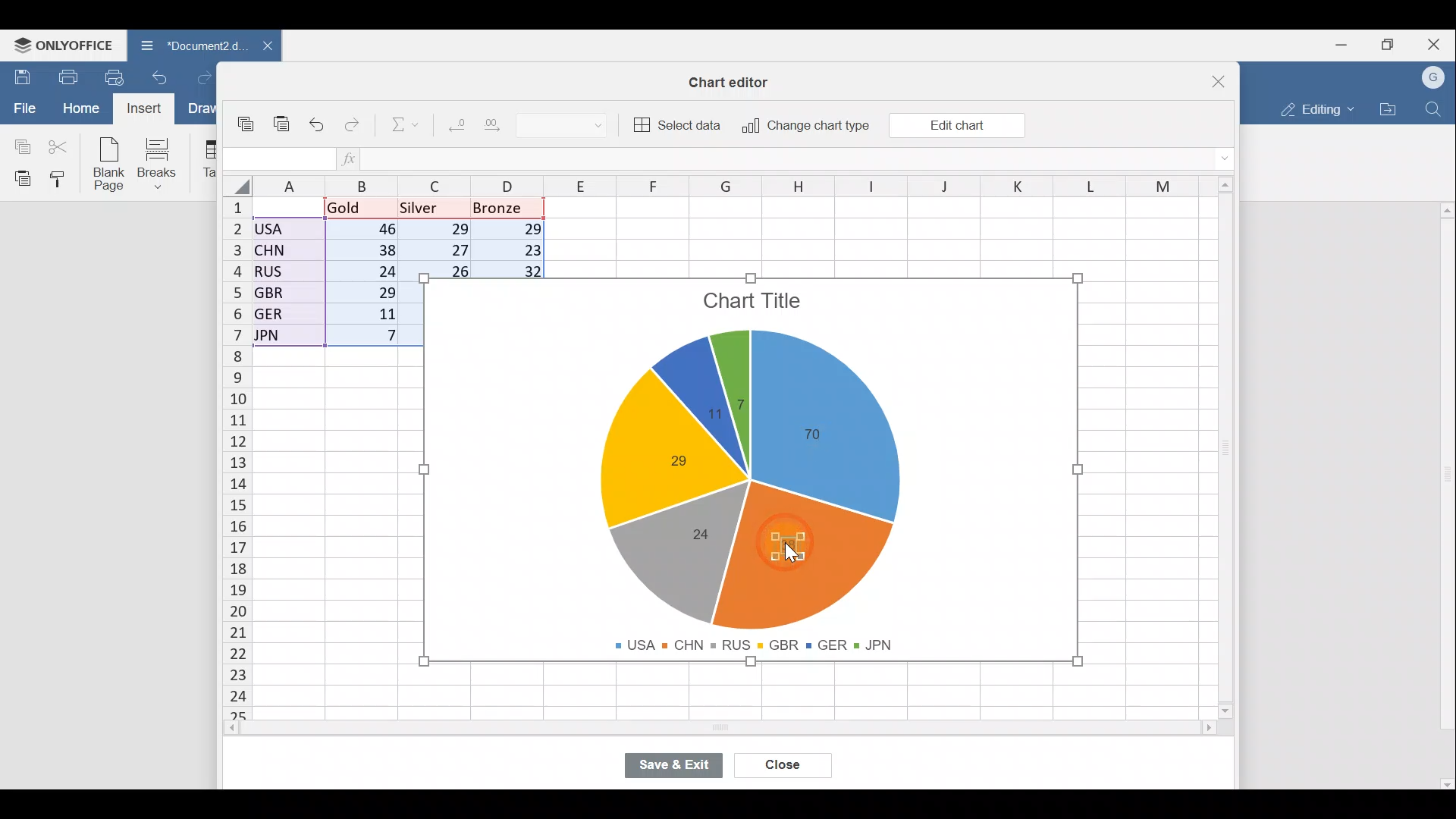 The width and height of the screenshot is (1456, 819). Describe the element at coordinates (745, 186) in the screenshot. I see `Columns` at that location.